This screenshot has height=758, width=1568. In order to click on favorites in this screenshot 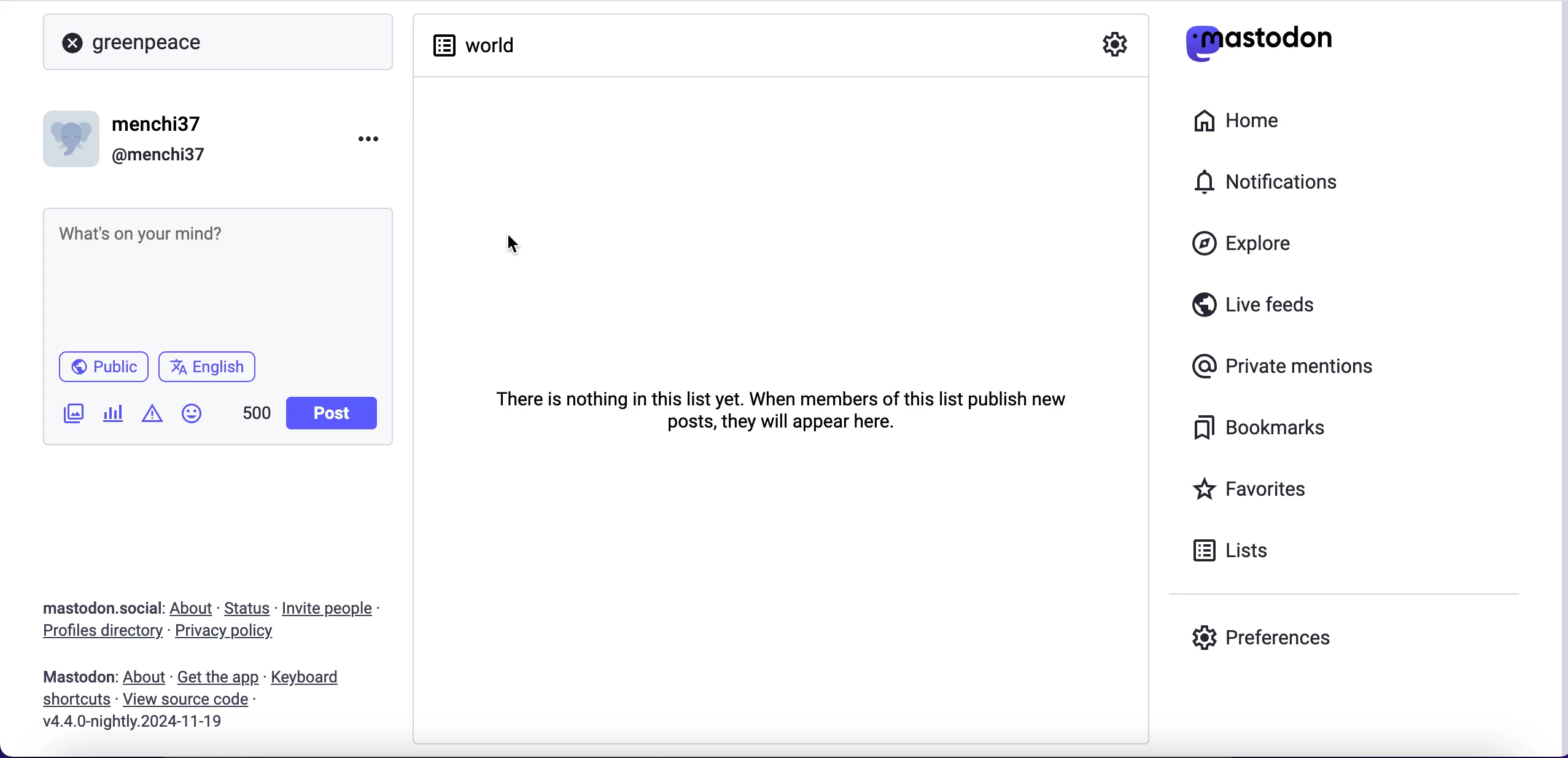, I will do `click(1254, 491)`.